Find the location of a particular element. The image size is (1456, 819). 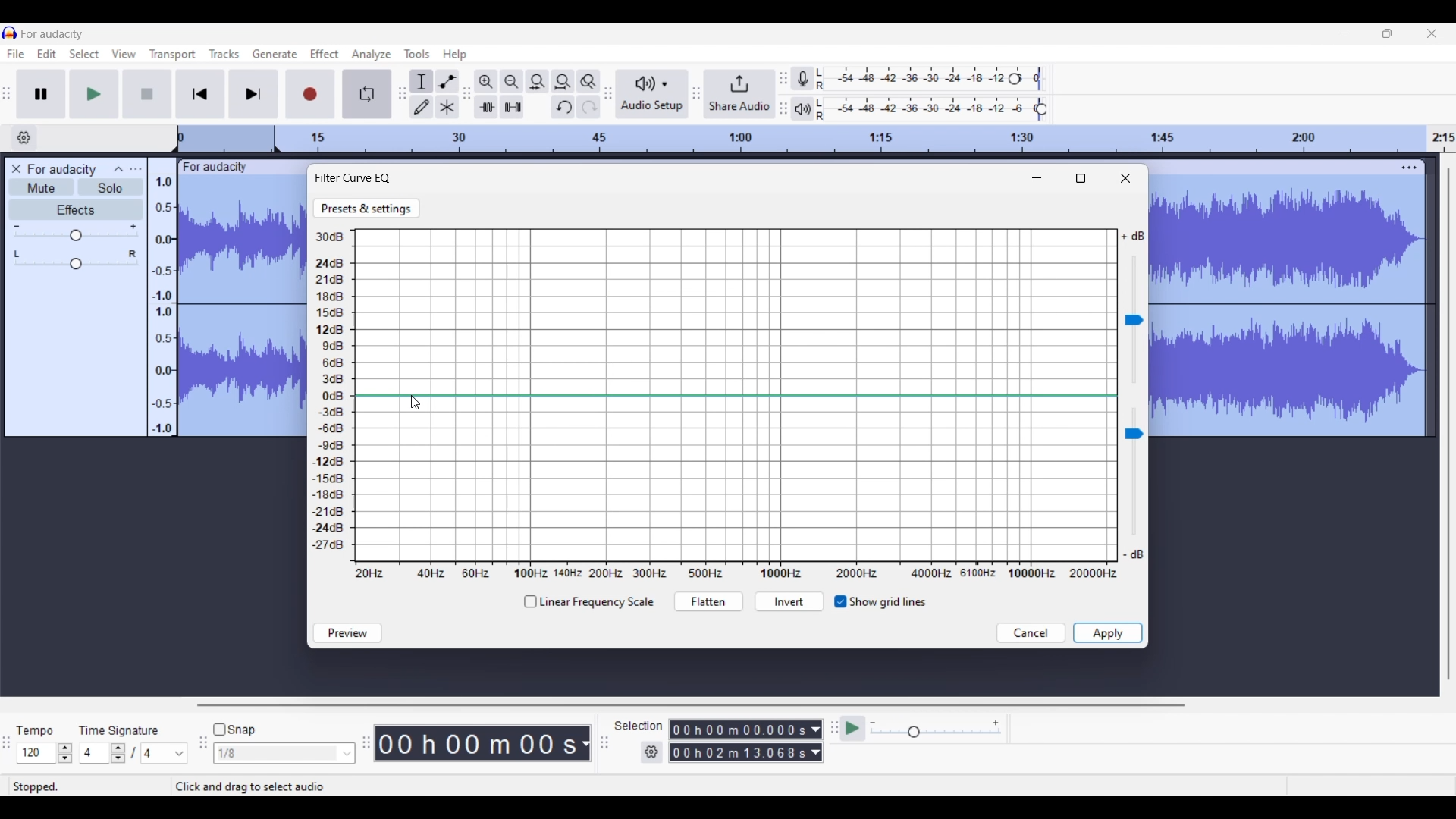

Track name is located at coordinates (215, 168).